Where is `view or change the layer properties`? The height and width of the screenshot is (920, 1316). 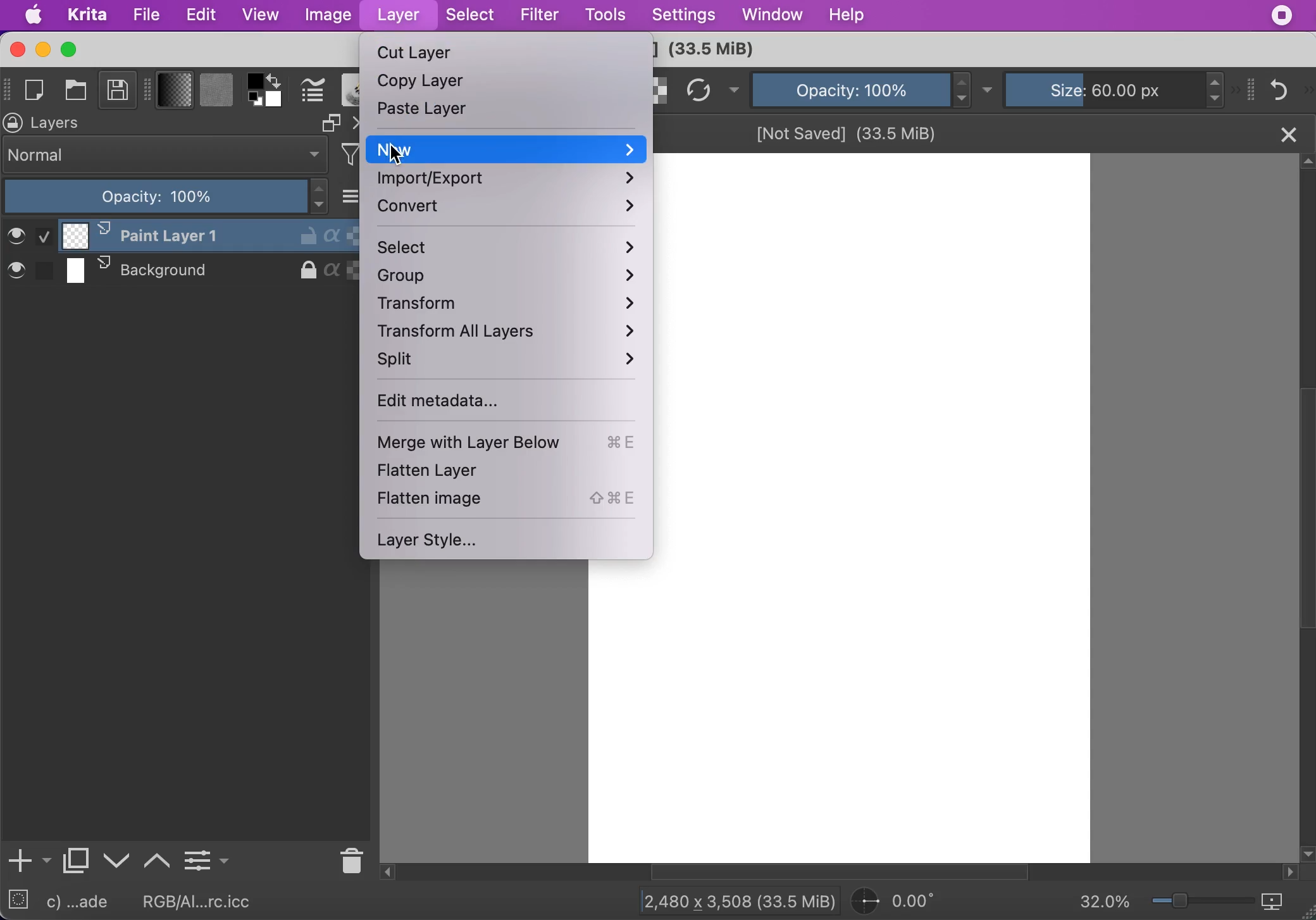 view or change the layer properties is located at coordinates (206, 858).